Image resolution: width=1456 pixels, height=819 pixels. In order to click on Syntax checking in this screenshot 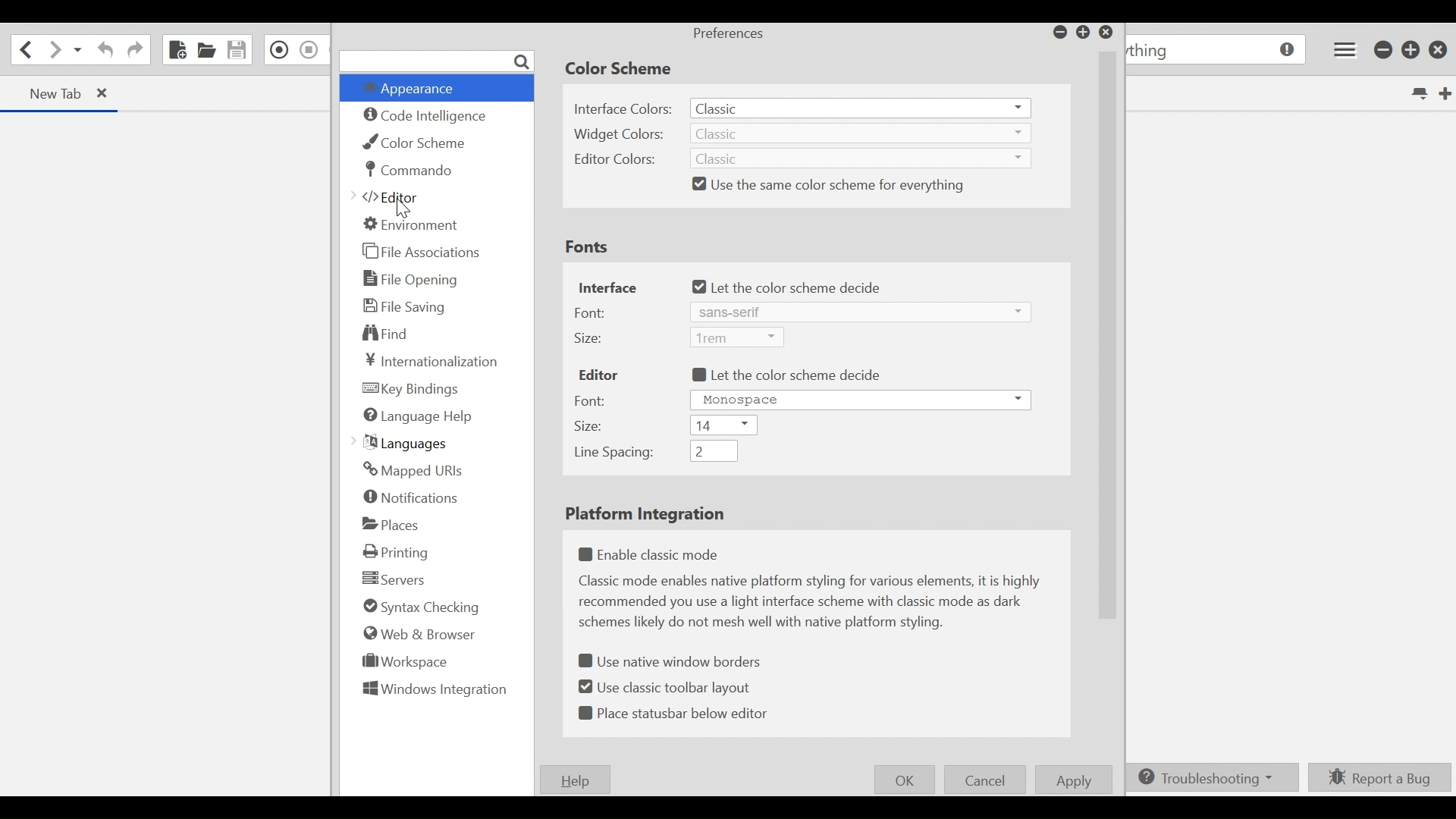, I will do `click(418, 607)`.